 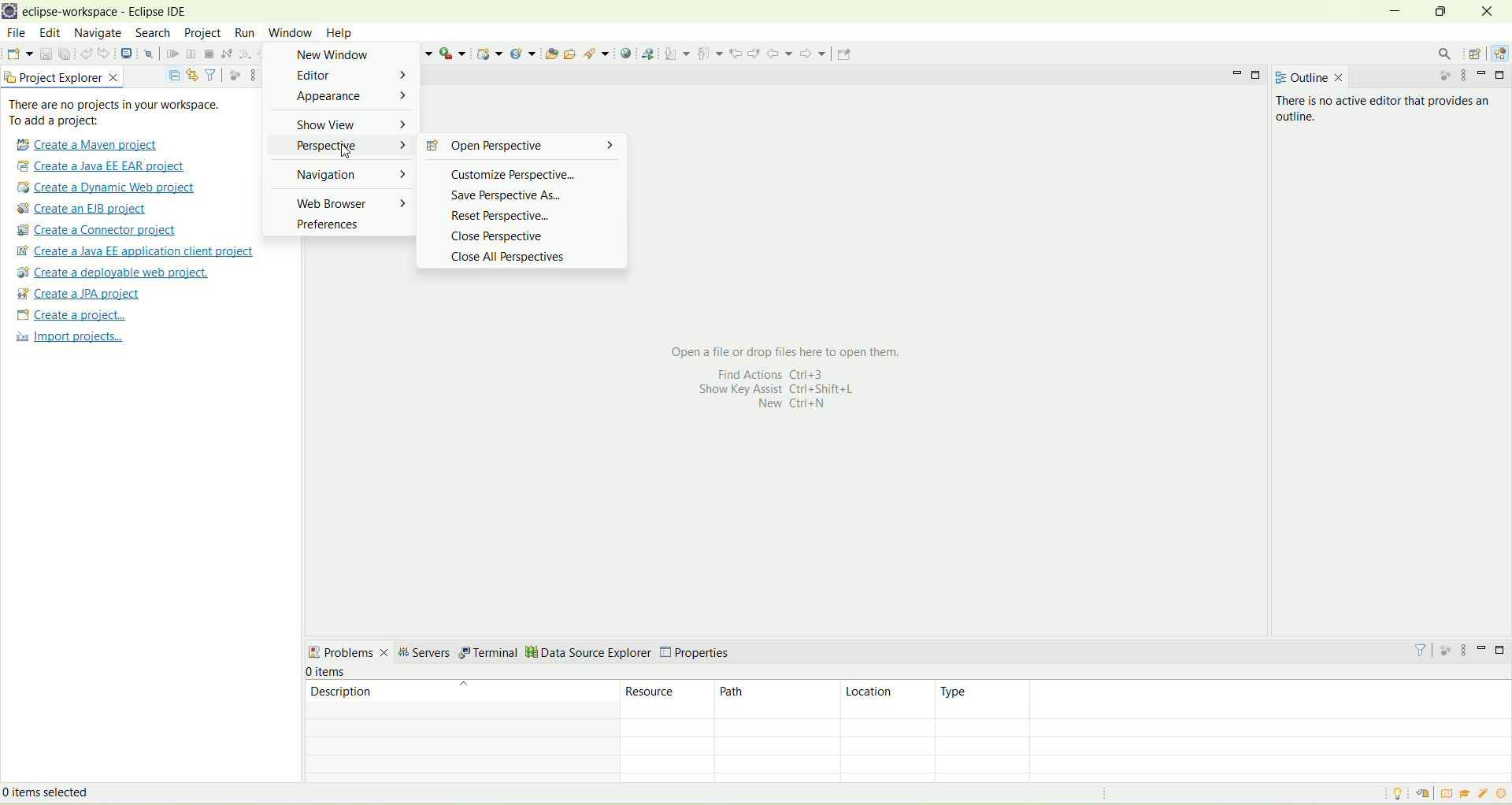 What do you see at coordinates (68, 339) in the screenshot?
I see `import projects` at bounding box center [68, 339].